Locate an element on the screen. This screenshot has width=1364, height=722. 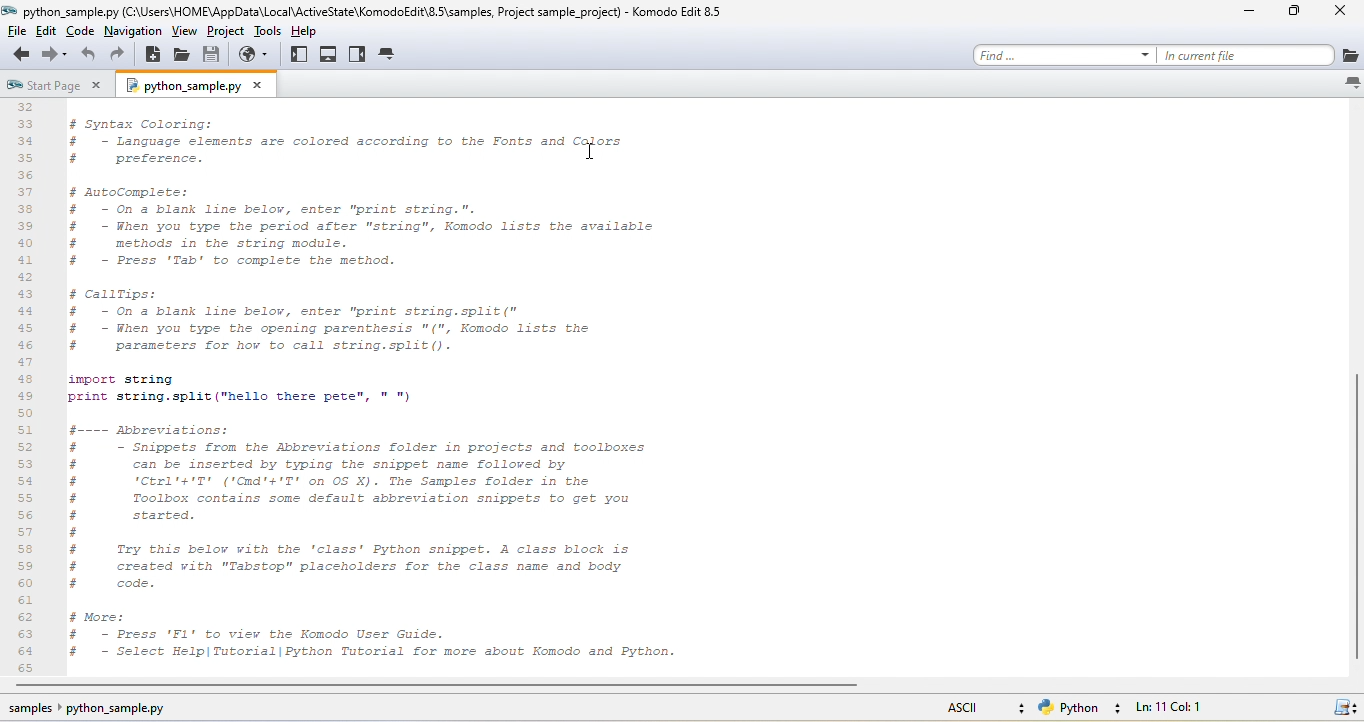
right pane is located at coordinates (357, 54).